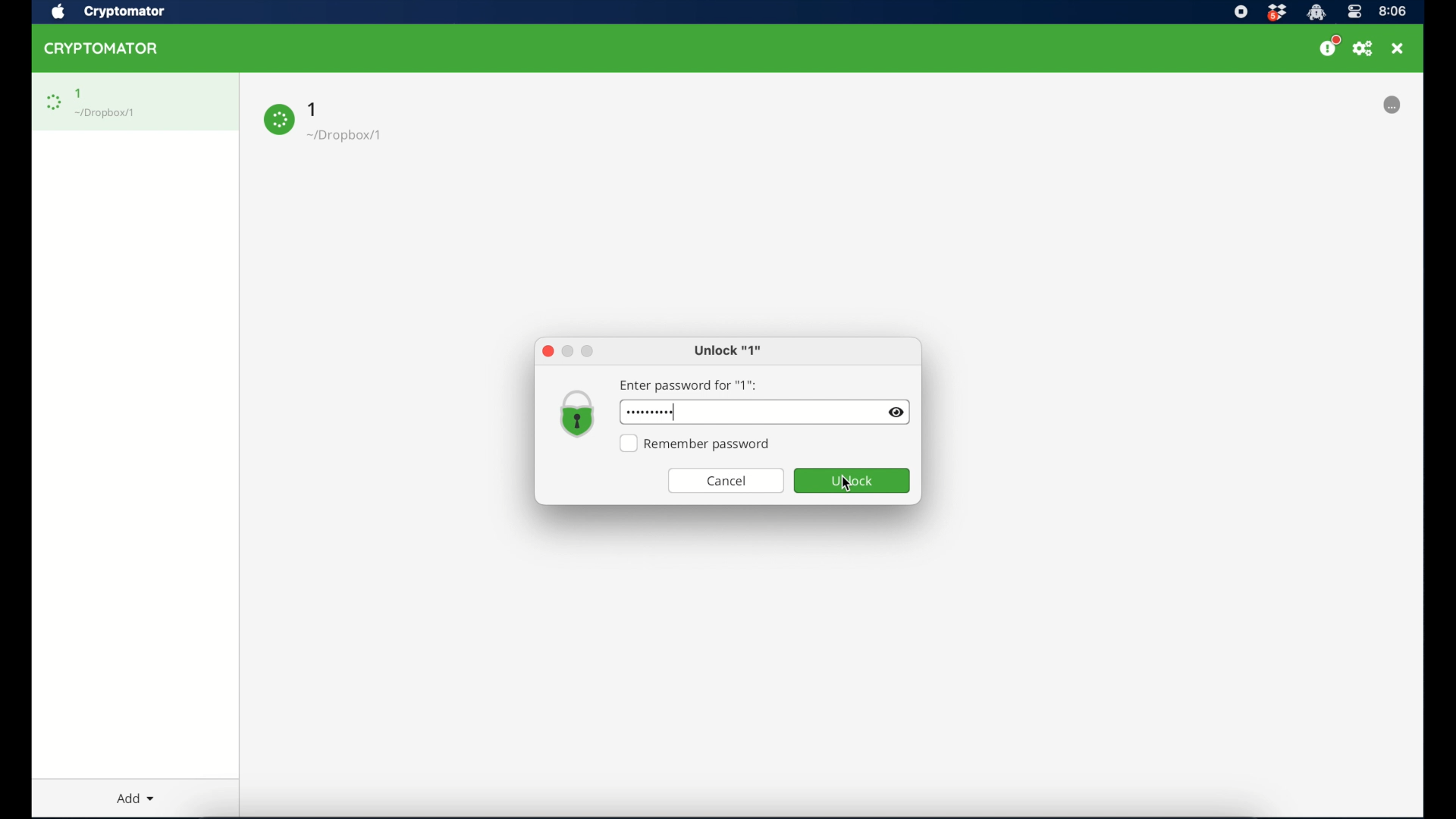 Image resolution: width=1456 pixels, height=819 pixels. Describe the element at coordinates (1393, 11) in the screenshot. I see `time` at that location.